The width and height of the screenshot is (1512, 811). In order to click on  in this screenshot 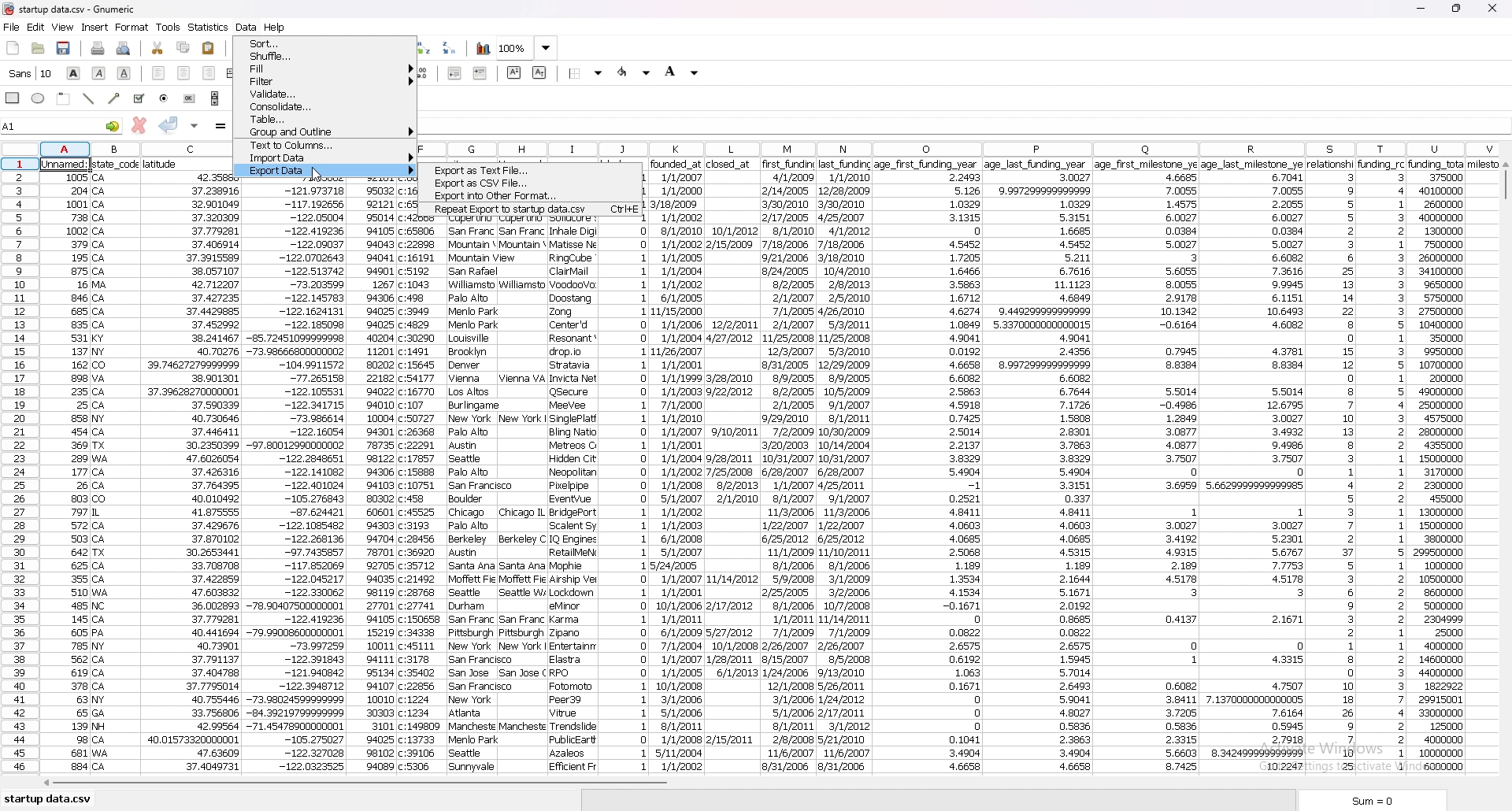, I will do `click(66, 468)`.